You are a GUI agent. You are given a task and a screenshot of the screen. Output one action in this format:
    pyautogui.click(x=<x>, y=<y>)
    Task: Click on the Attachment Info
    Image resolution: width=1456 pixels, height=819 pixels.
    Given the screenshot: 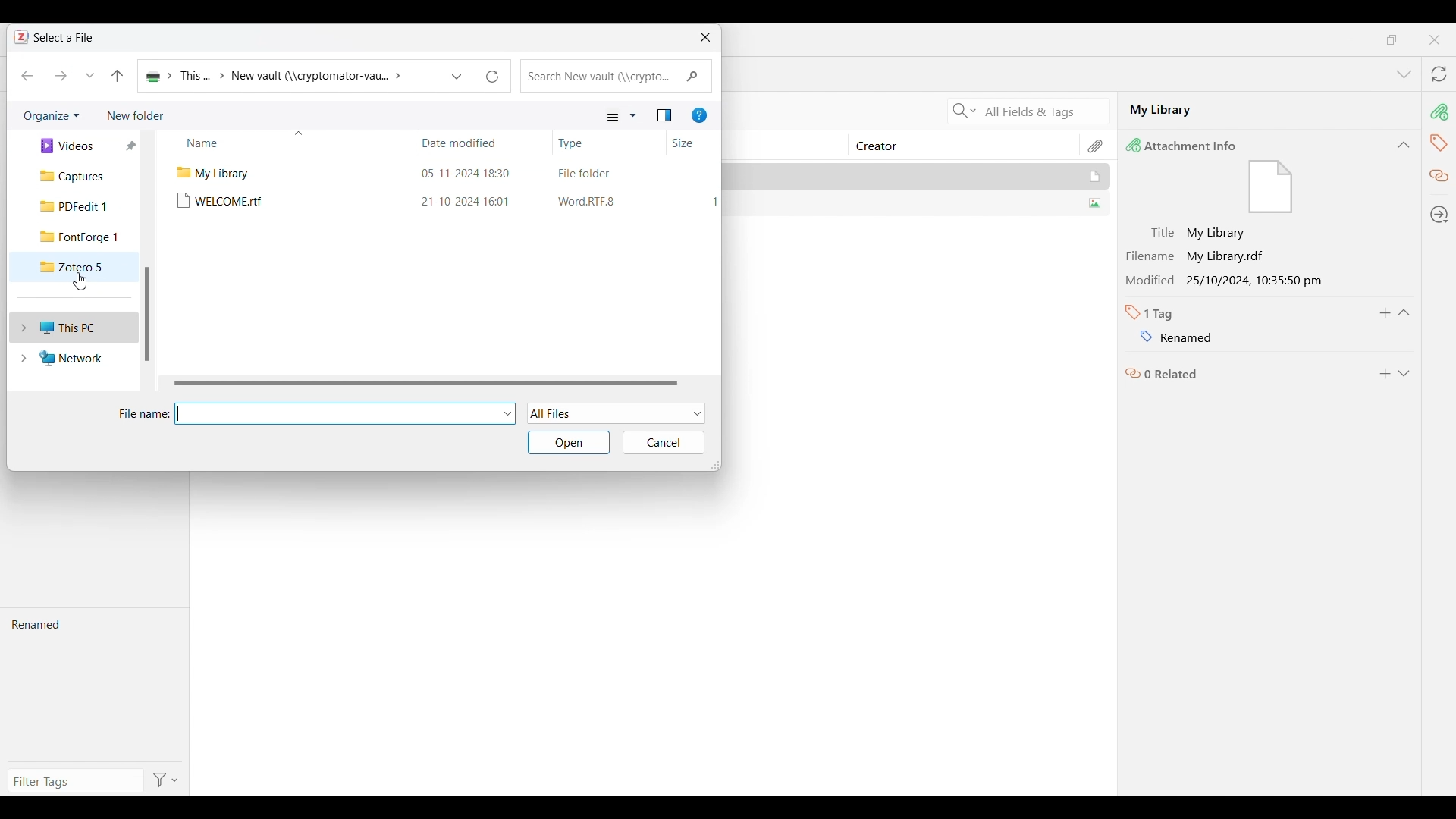 What is the action you would take?
    pyautogui.click(x=1188, y=146)
    